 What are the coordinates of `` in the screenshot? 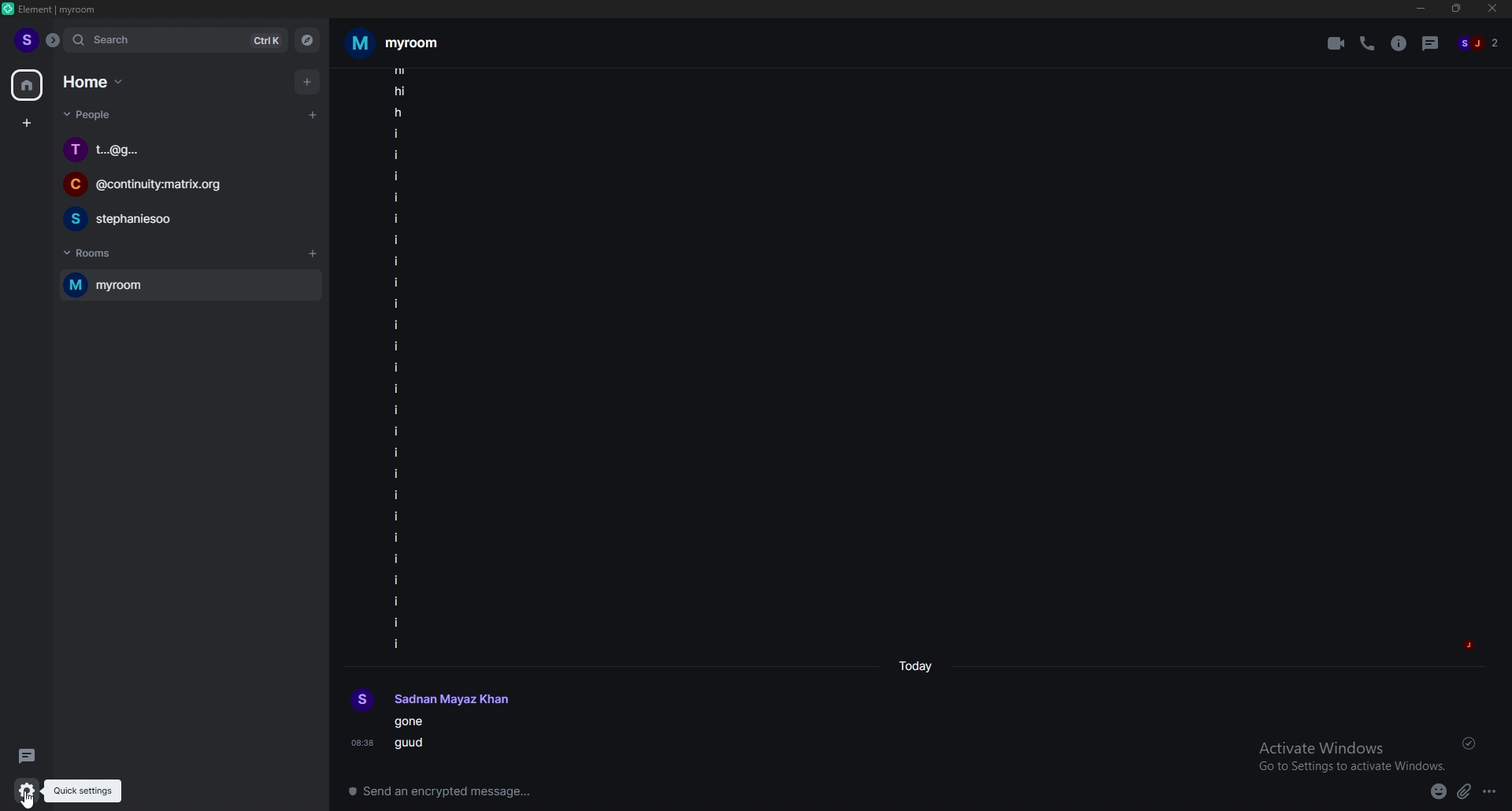 It's located at (23, 791).